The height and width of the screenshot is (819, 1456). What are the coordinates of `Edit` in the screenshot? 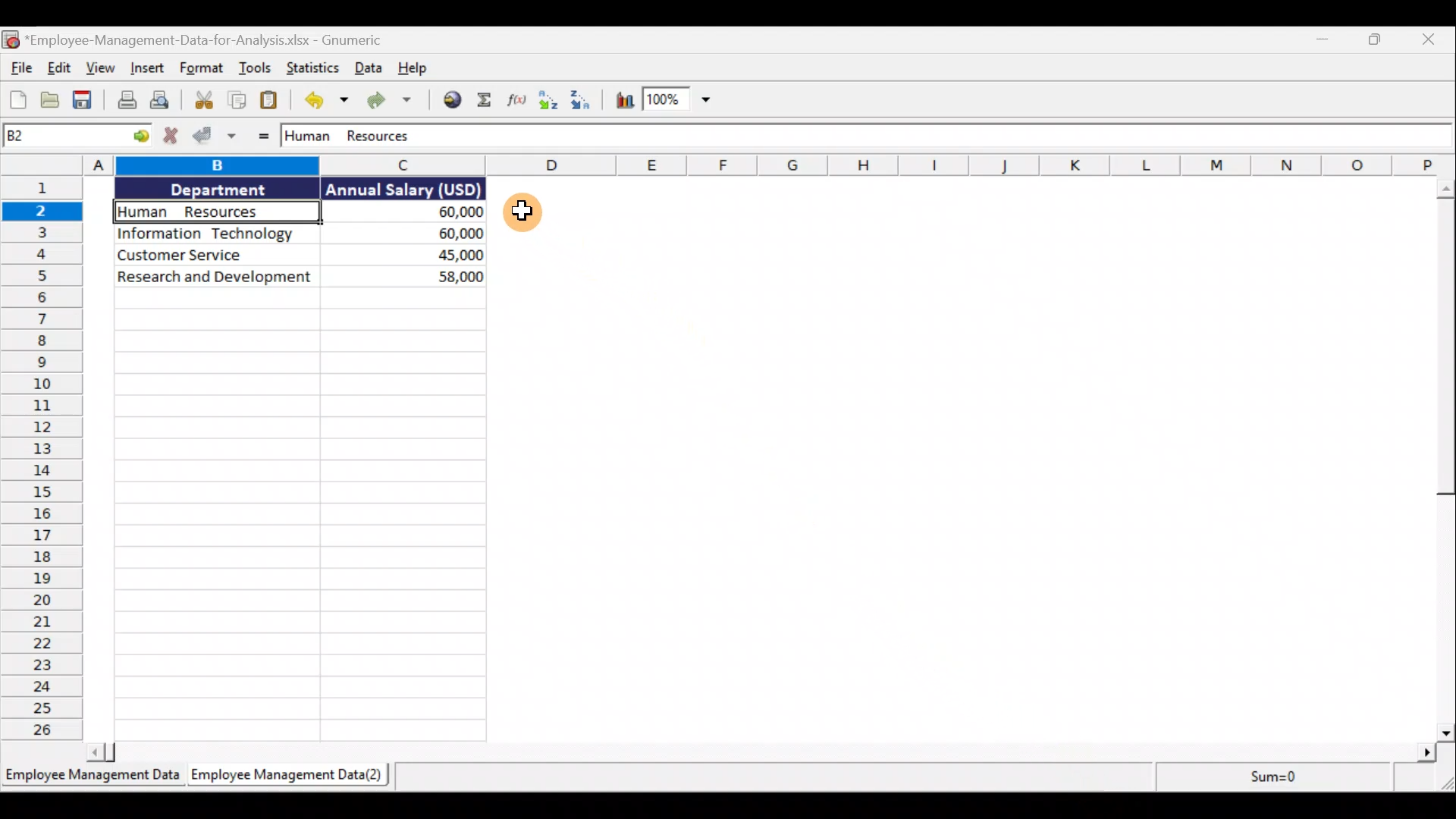 It's located at (57, 66).